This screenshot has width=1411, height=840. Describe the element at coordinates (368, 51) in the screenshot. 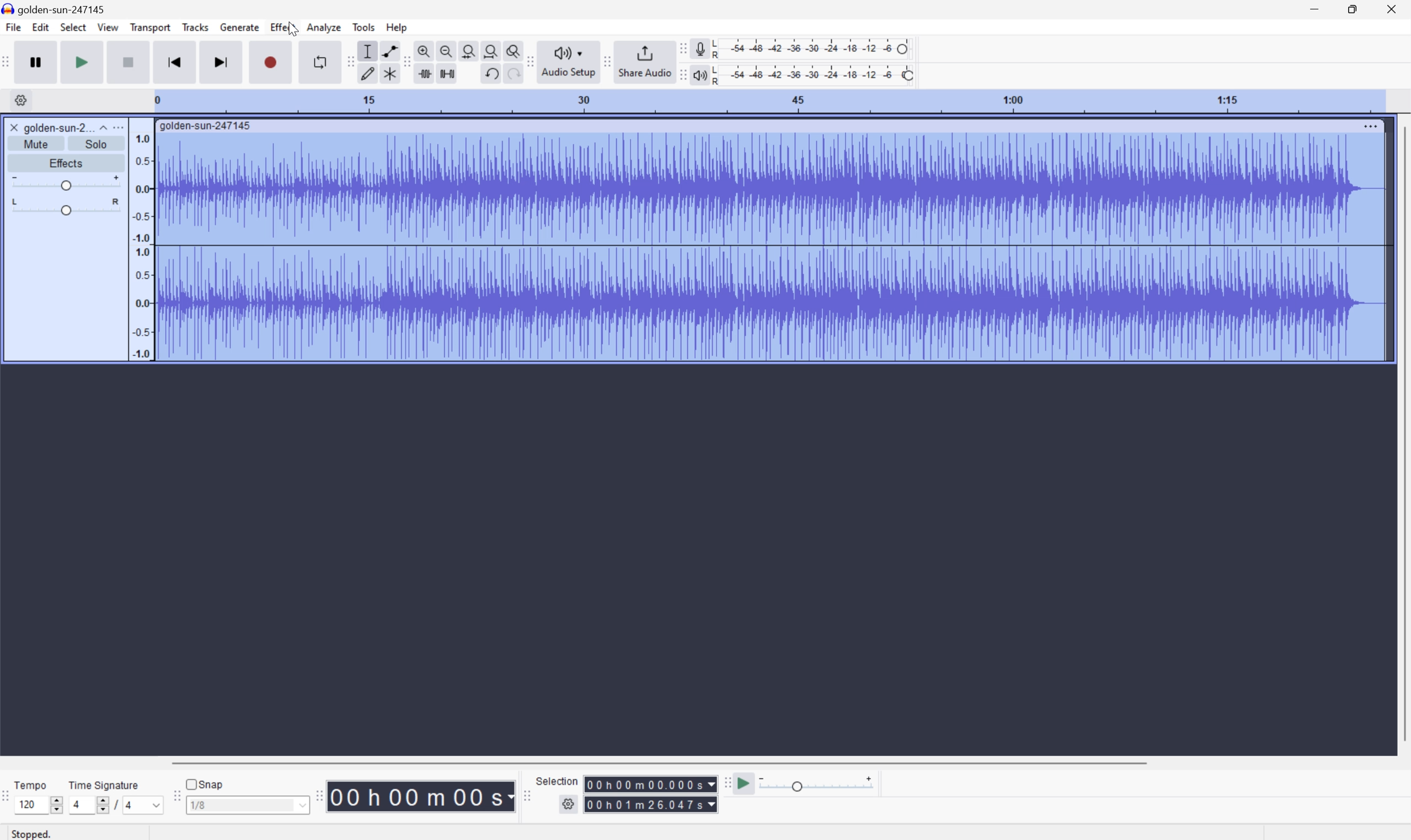

I see `Selection tool` at that location.